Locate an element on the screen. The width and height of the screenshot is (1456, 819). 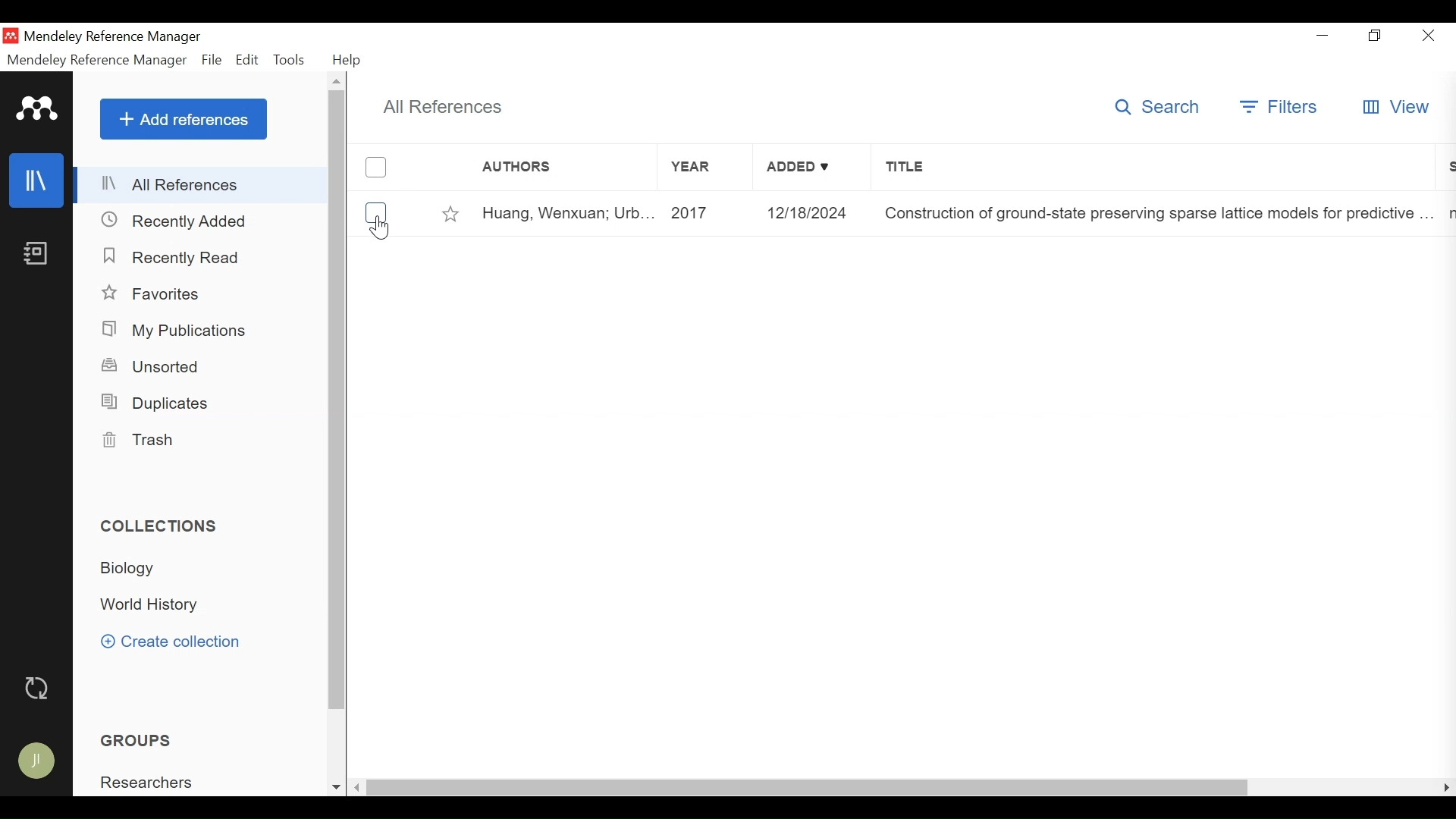
Scroll Left is located at coordinates (358, 787).